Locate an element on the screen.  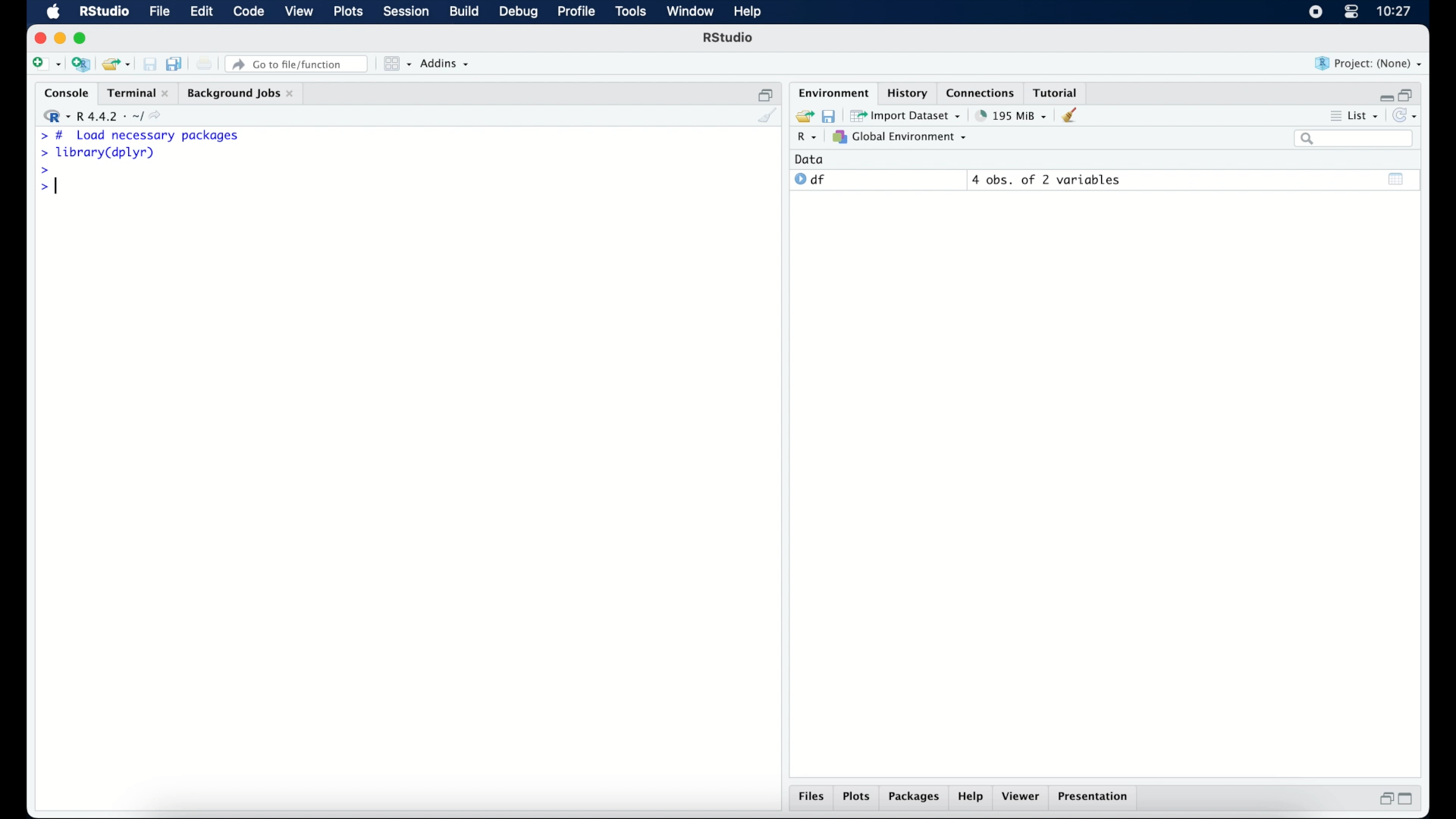
list is located at coordinates (1353, 118).